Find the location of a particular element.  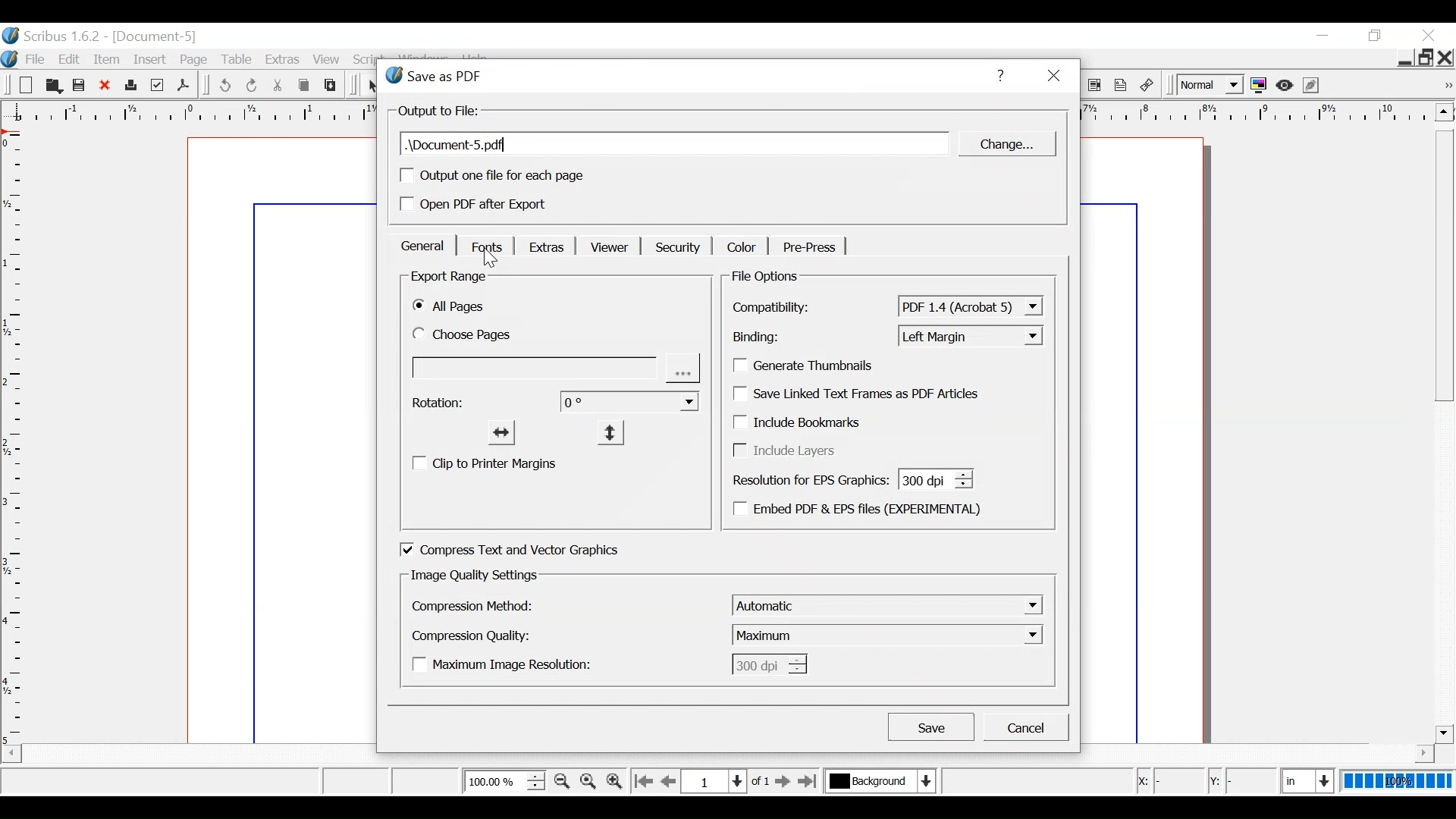

Extras is located at coordinates (283, 61).